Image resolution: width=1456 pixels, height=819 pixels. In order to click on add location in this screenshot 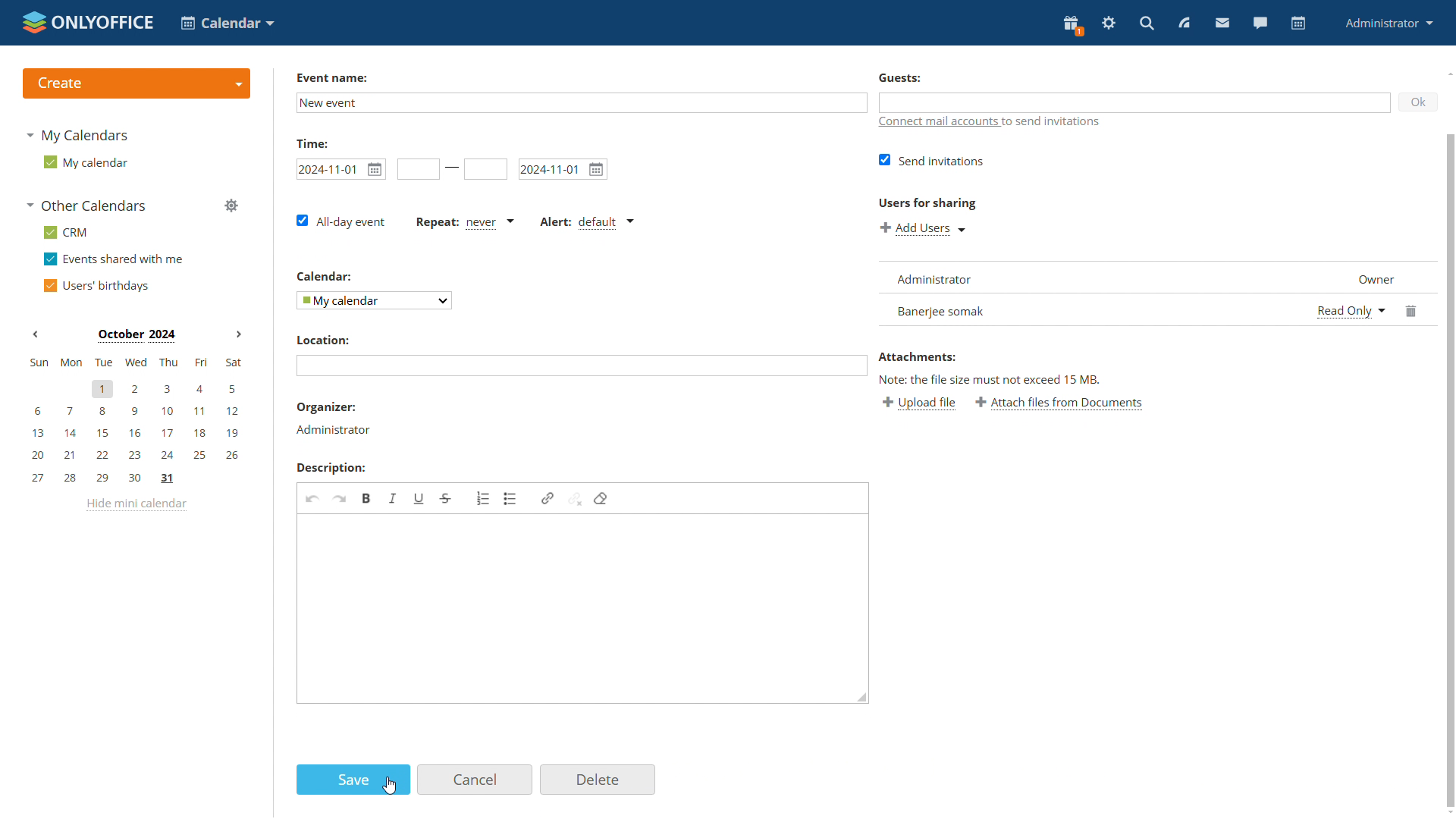, I will do `click(581, 366)`.